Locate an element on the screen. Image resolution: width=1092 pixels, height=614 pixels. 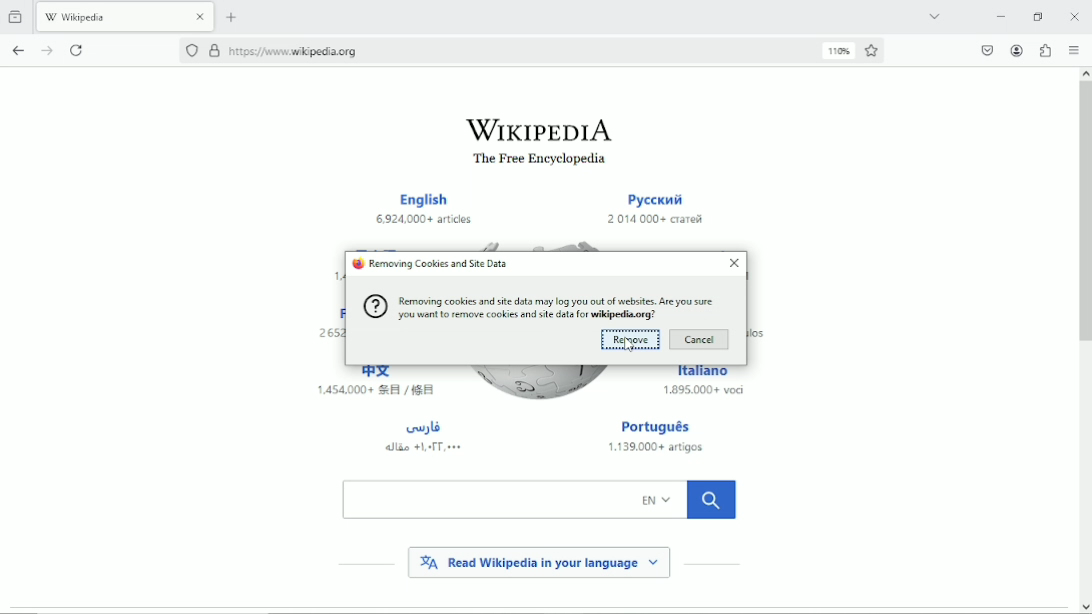
zoom factor is located at coordinates (839, 50).